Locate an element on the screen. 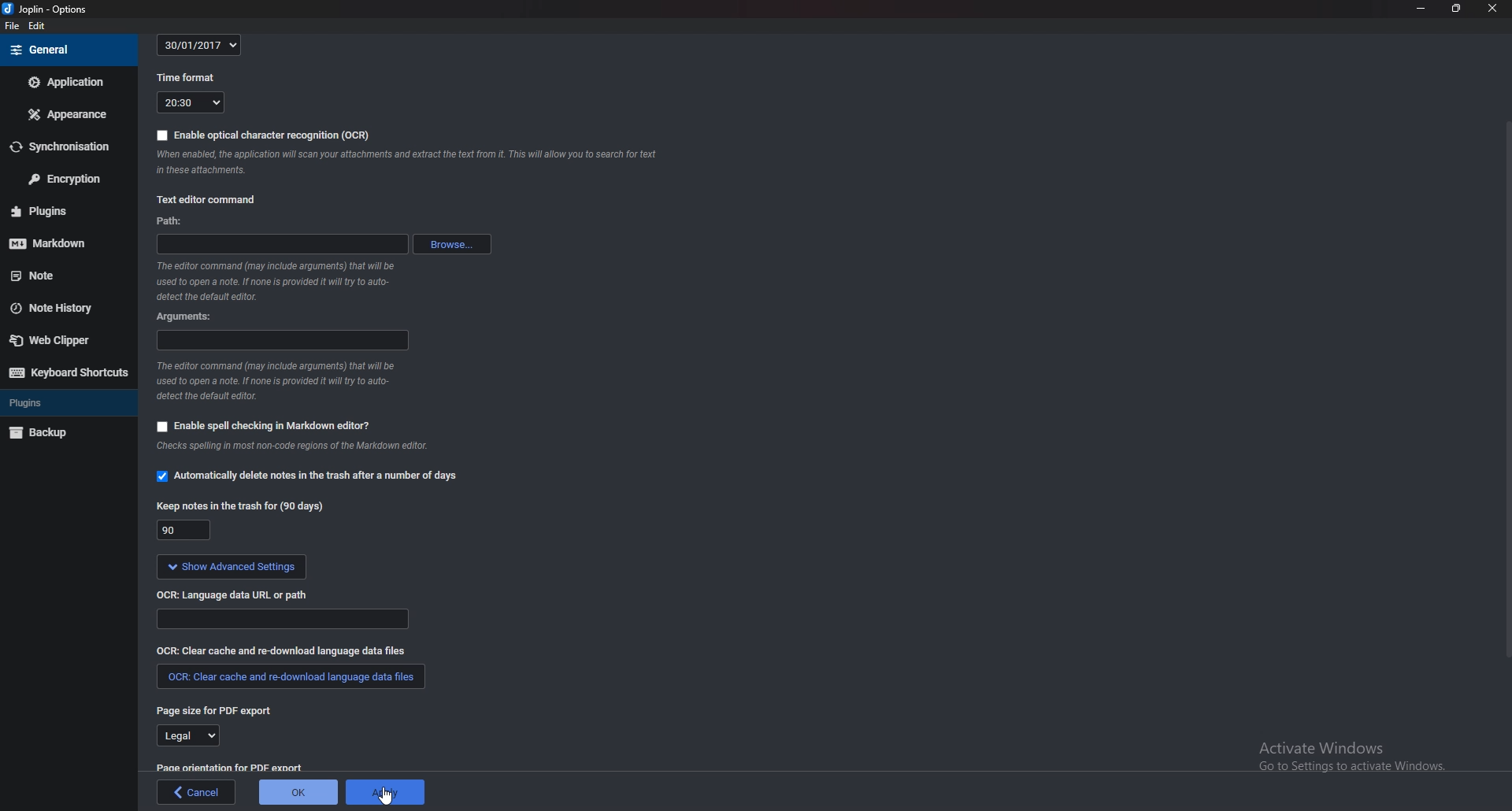 This screenshot has width=1512, height=811. Encryption is located at coordinates (66, 178).